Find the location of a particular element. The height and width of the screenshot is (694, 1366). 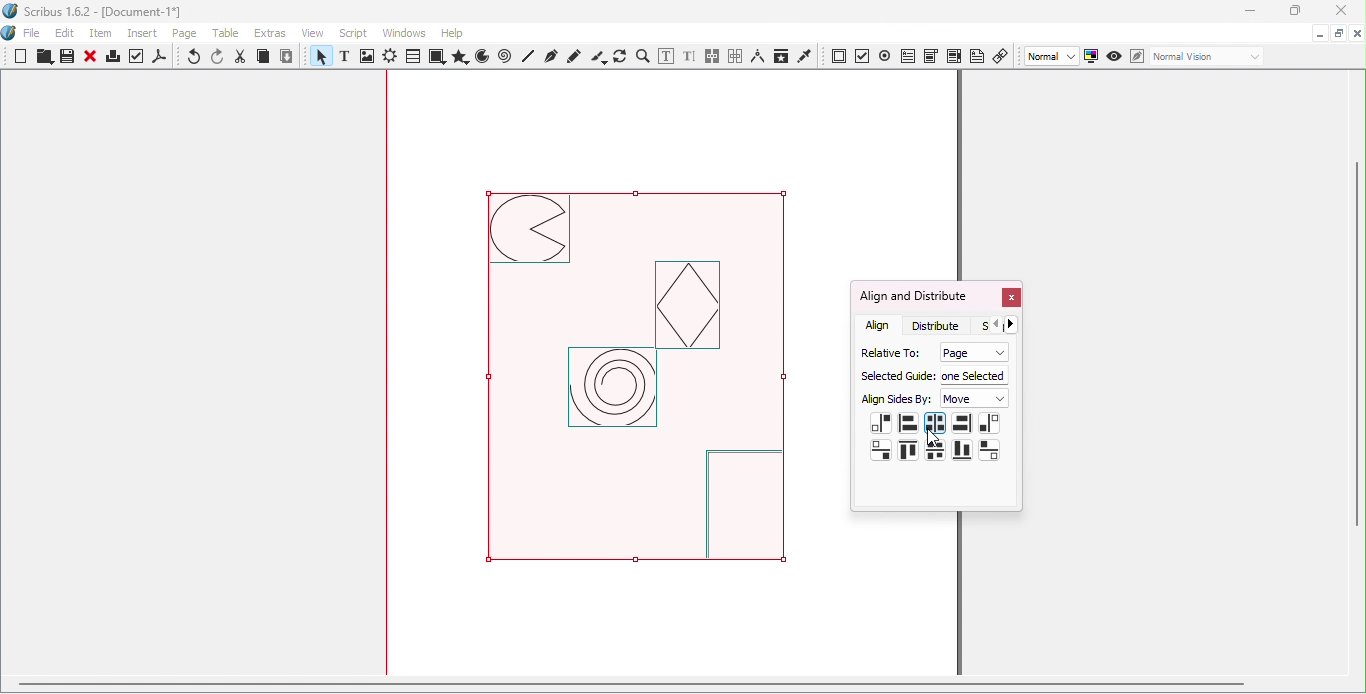

Close is located at coordinates (90, 58).